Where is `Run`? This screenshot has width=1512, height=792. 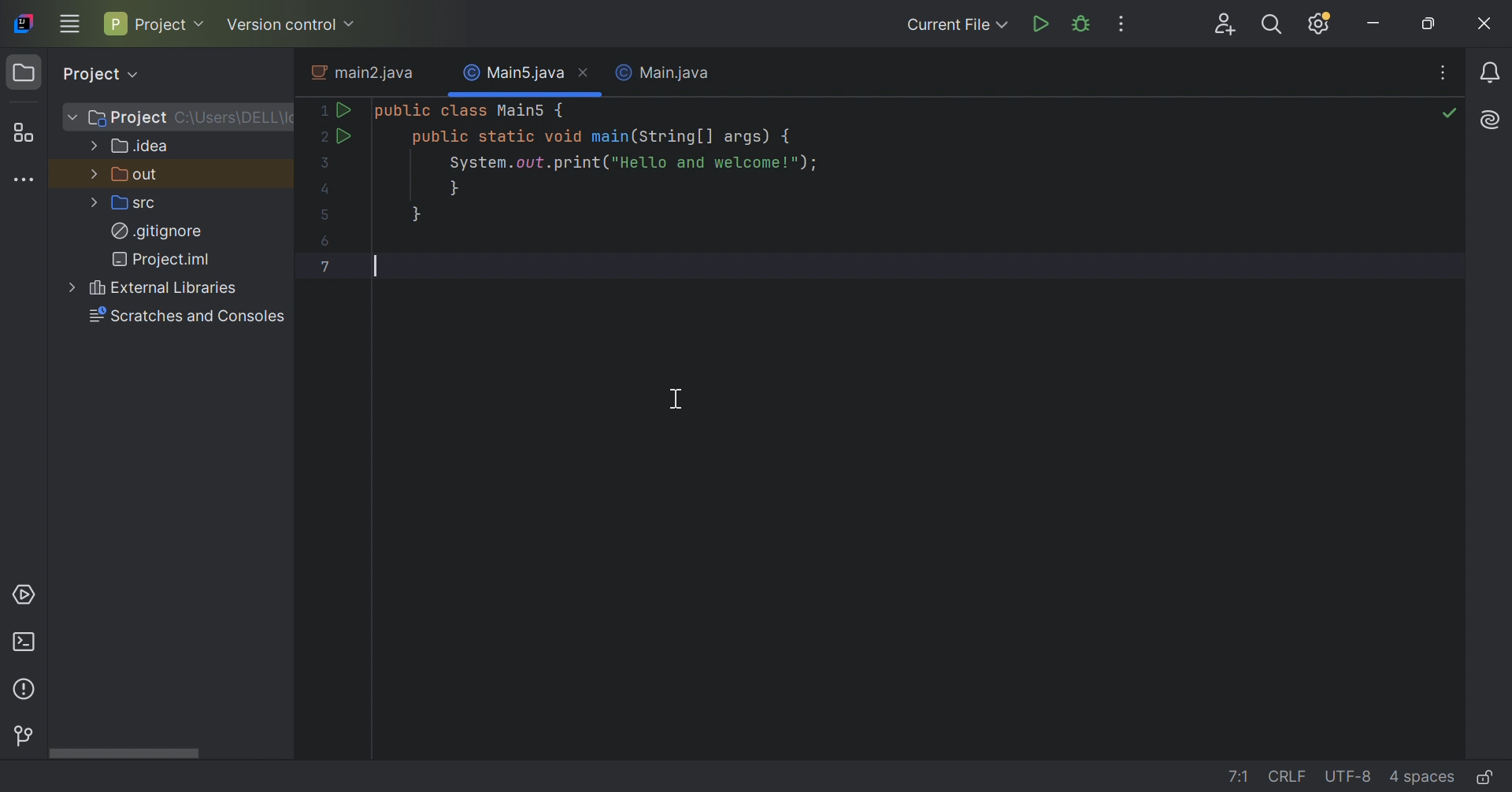
Run is located at coordinates (343, 135).